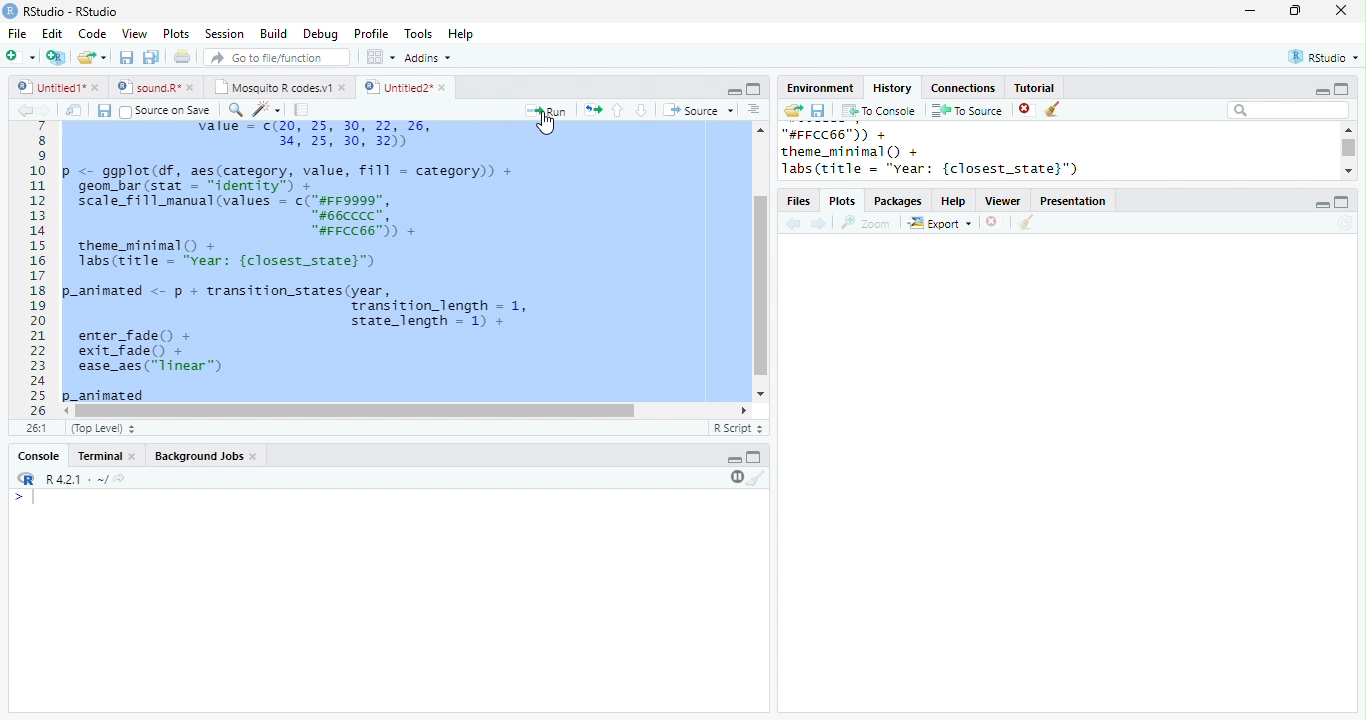  What do you see at coordinates (1027, 222) in the screenshot?
I see `clear` at bounding box center [1027, 222].